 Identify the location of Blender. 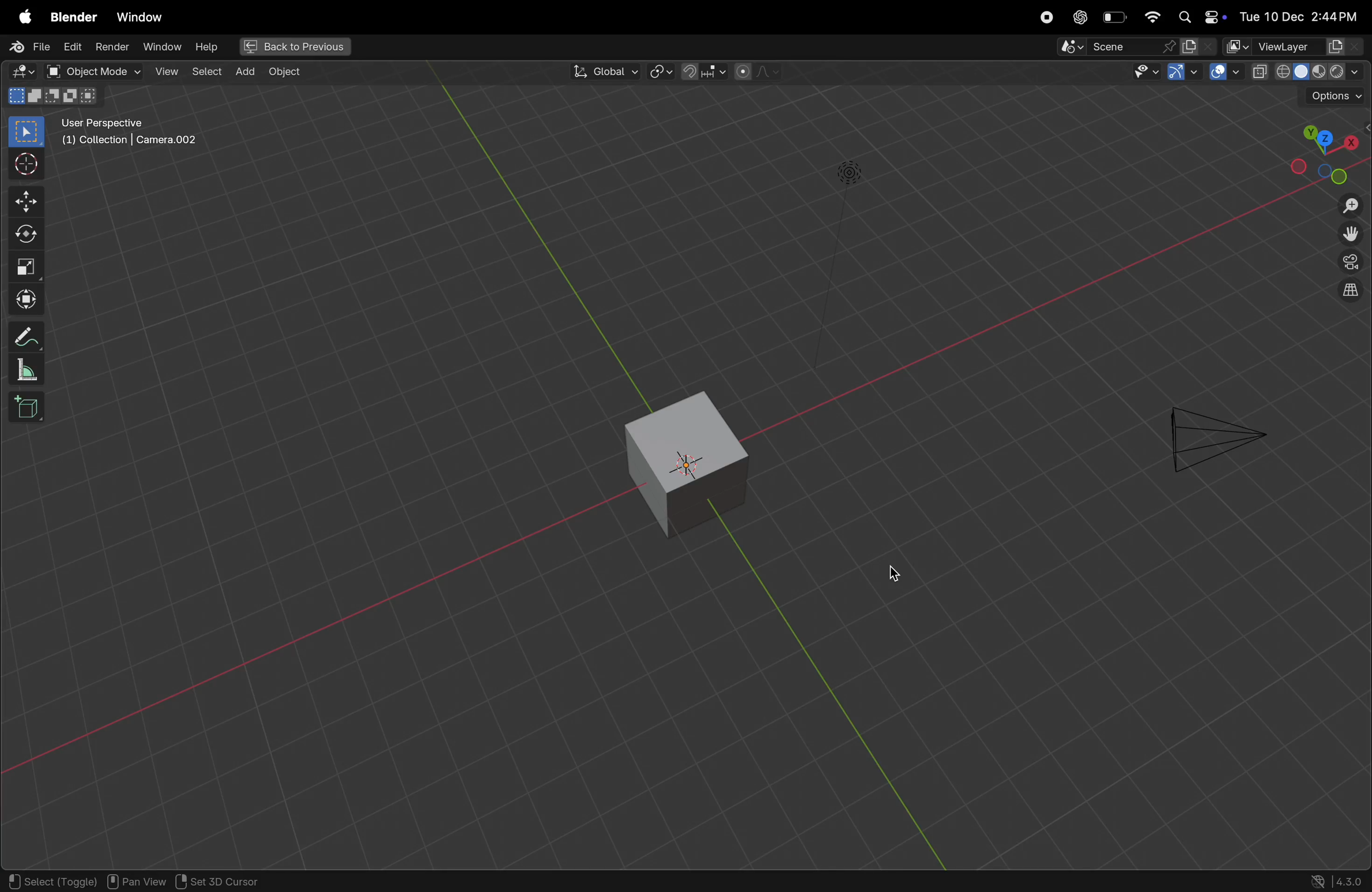
(72, 18).